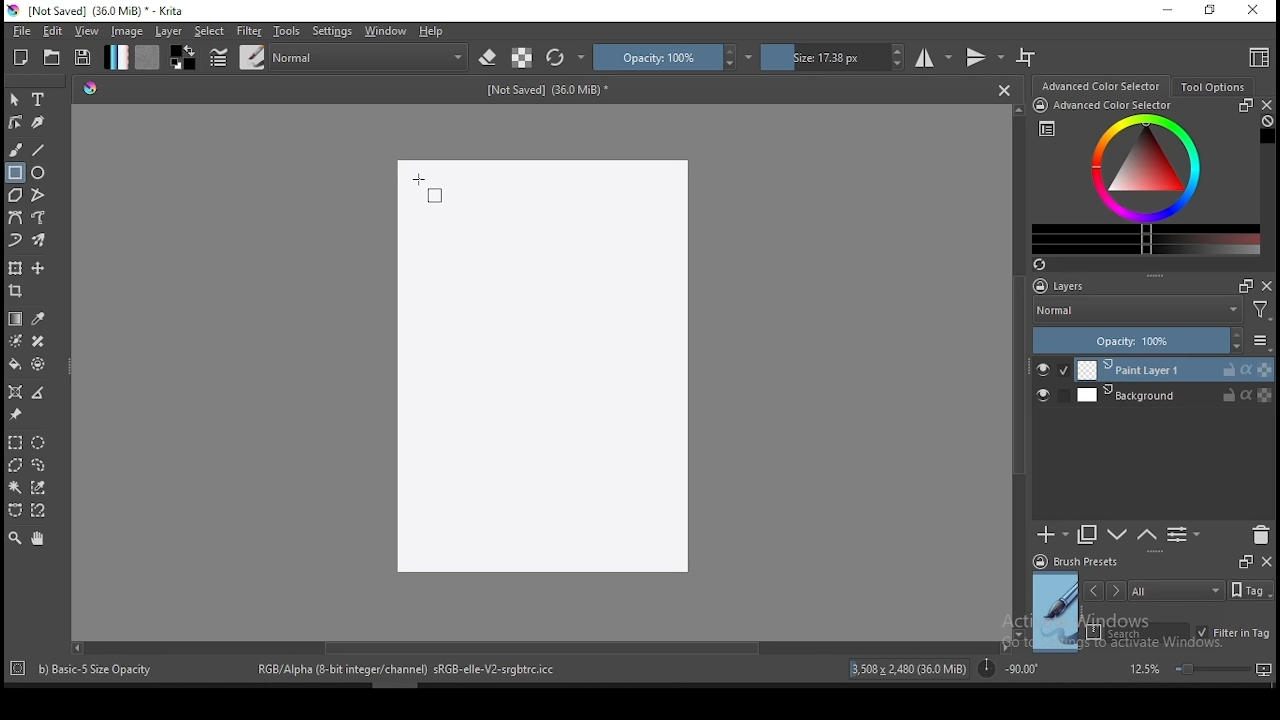 The height and width of the screenshot is (720, 1280). Describe the element at coordinates (94, 668) in the screenshot. I see `Basic opacity` at that location.